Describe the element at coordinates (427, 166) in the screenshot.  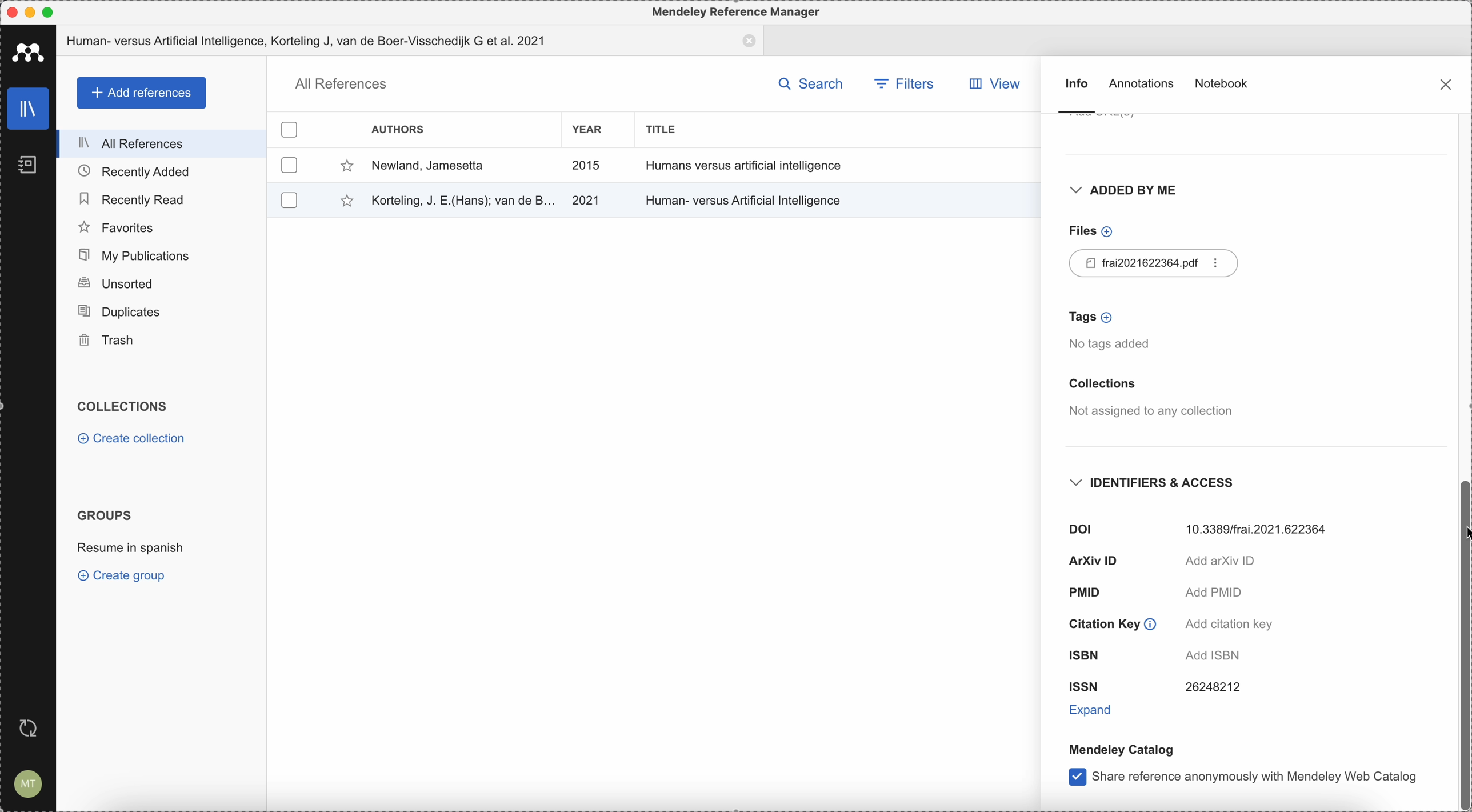
I see `Newlad, Jamsetta` at that location.